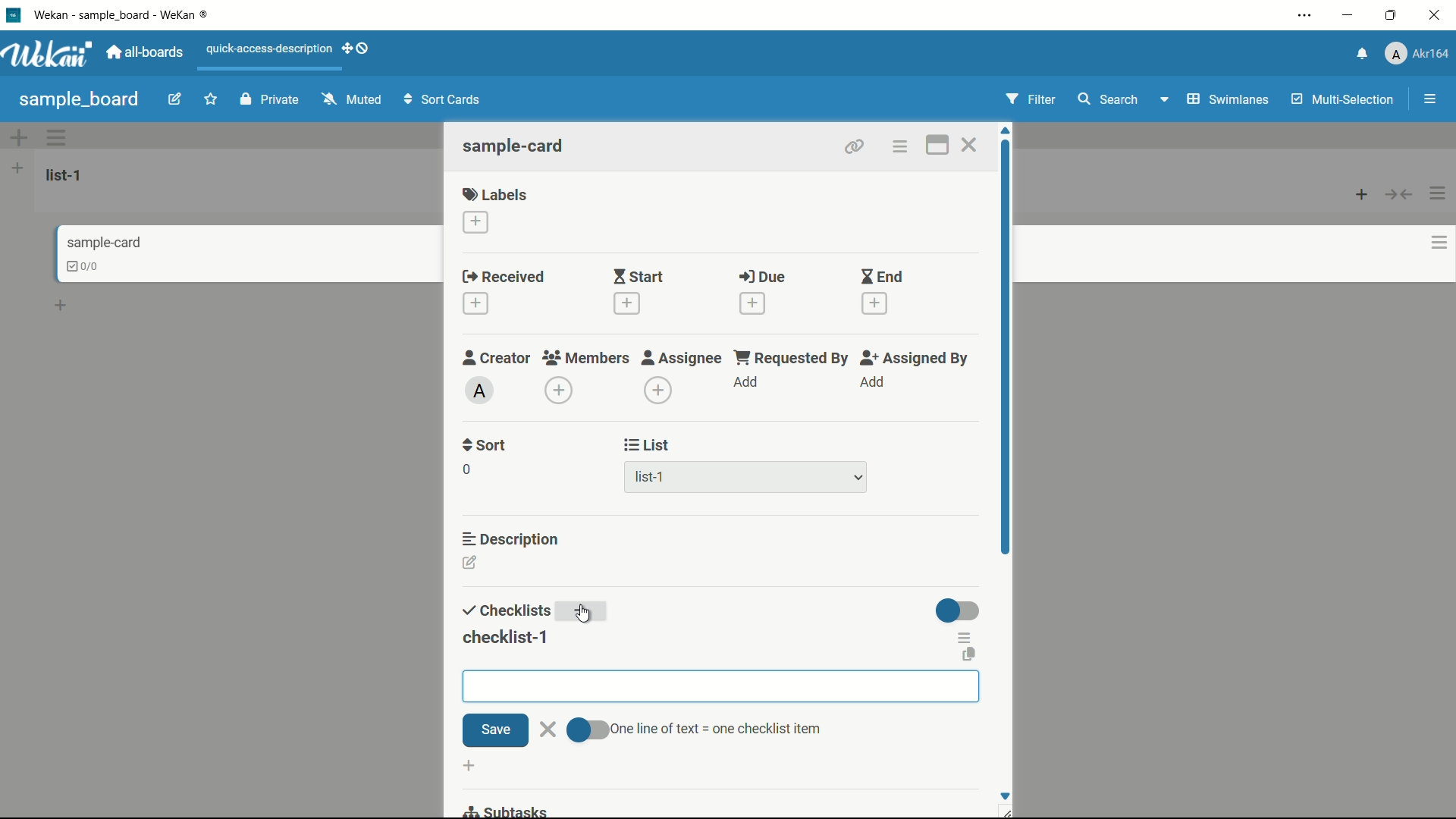 The width and height of the screenshot is (1456, 819). I want to click on add, so click(585, 613).